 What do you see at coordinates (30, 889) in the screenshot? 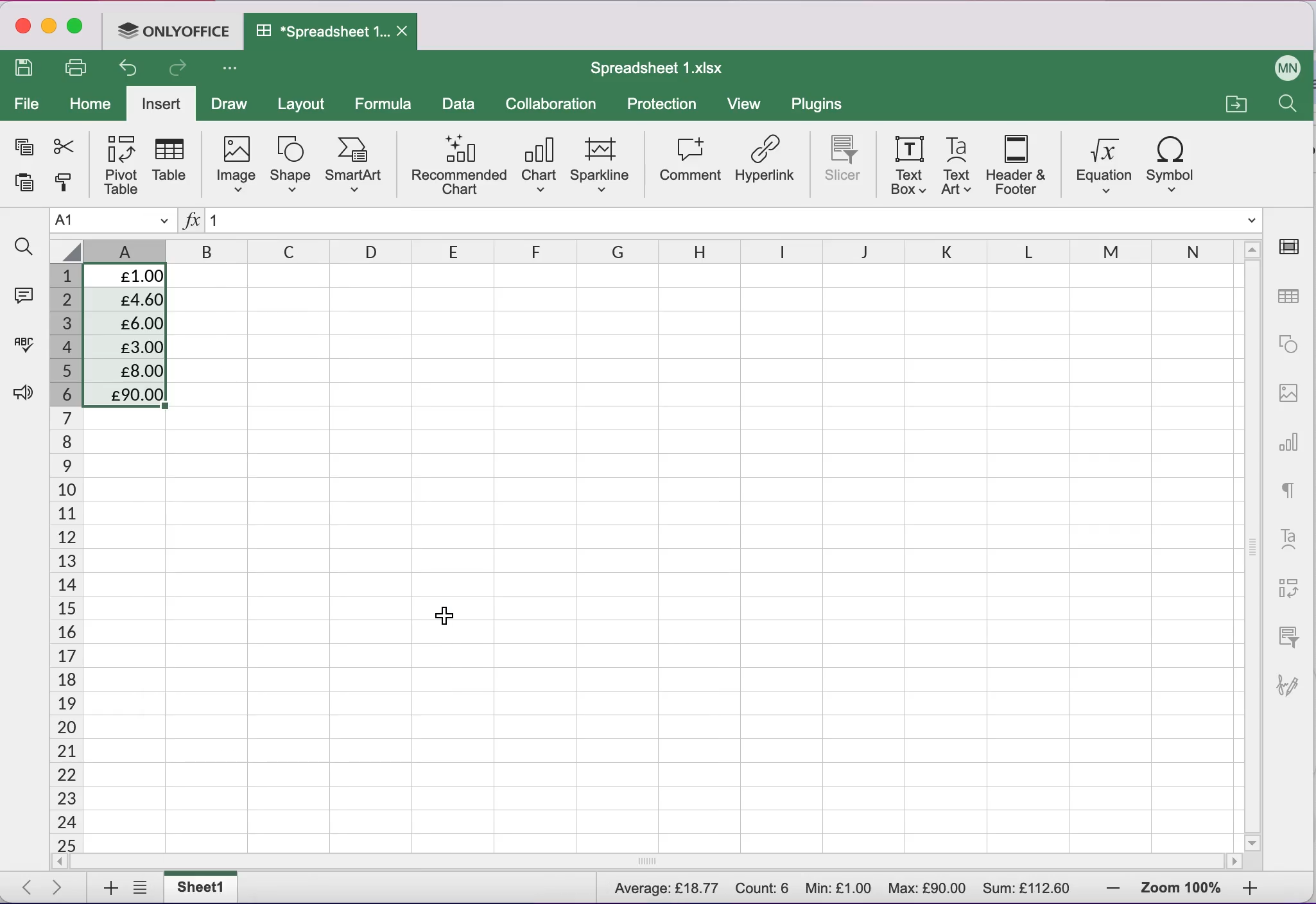
I see `previous sheet` at bounding box center [30, 889].